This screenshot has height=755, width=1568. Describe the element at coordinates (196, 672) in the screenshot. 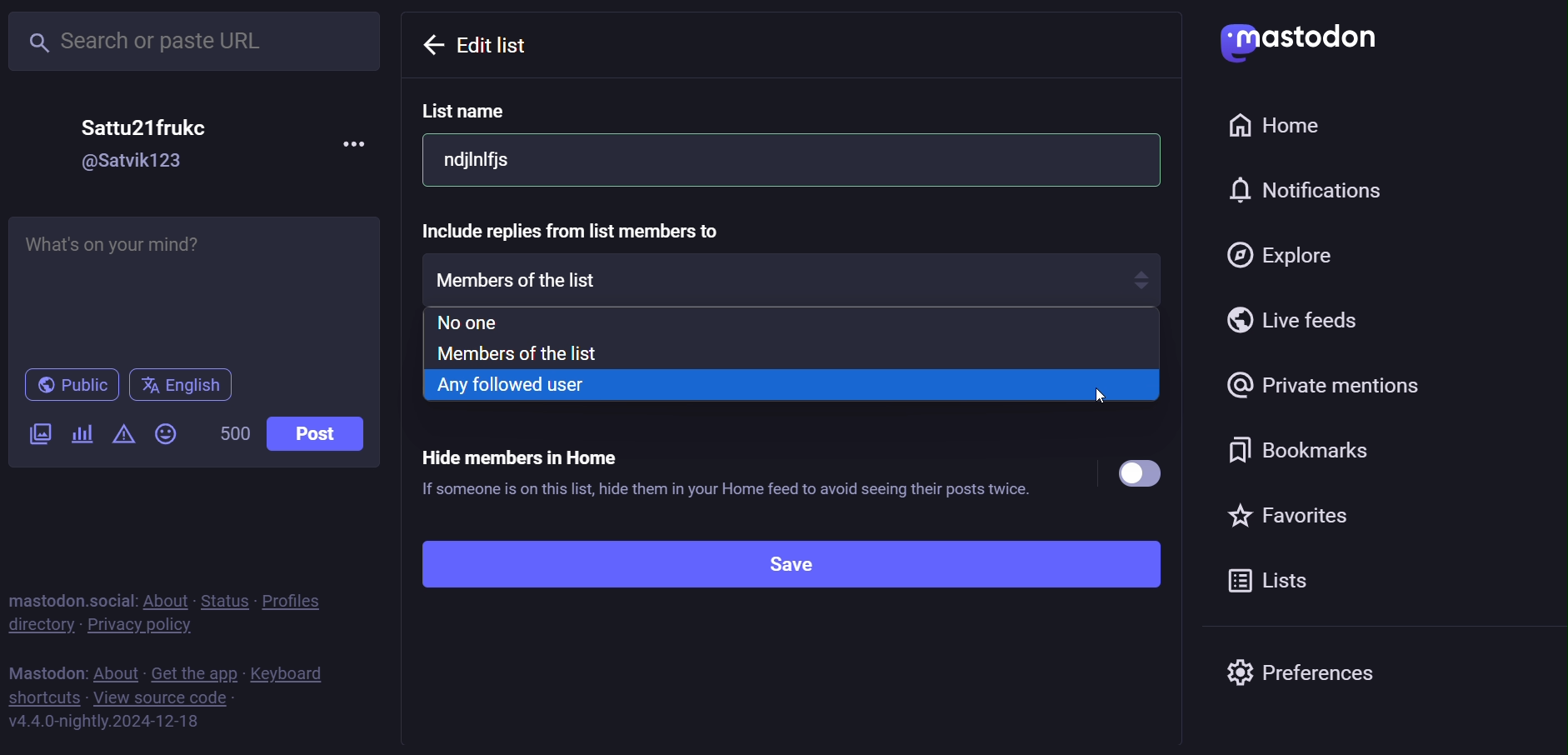

I see `get the app` at that location.